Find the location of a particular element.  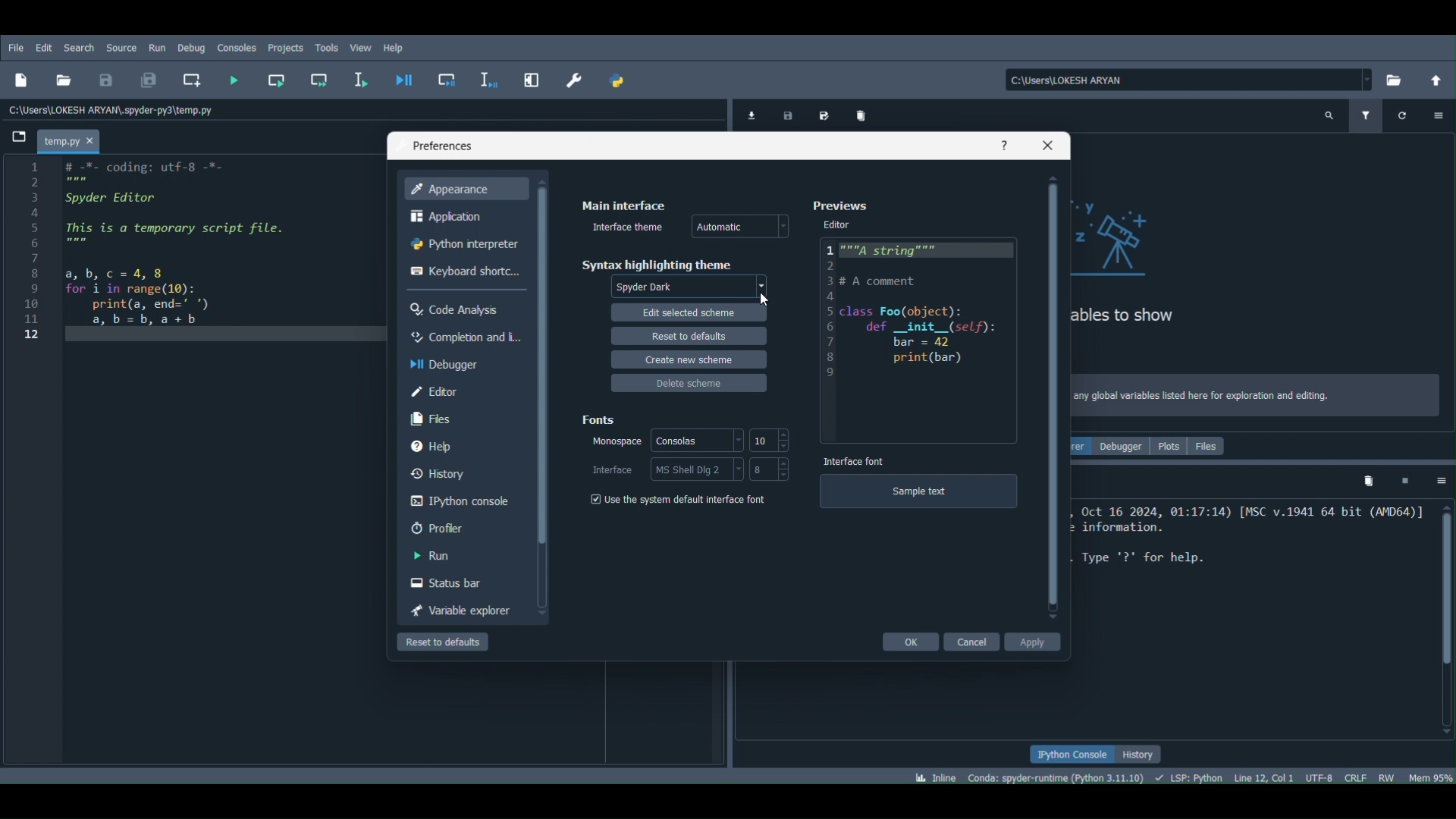

Import data is located at coordinates (750, 113).